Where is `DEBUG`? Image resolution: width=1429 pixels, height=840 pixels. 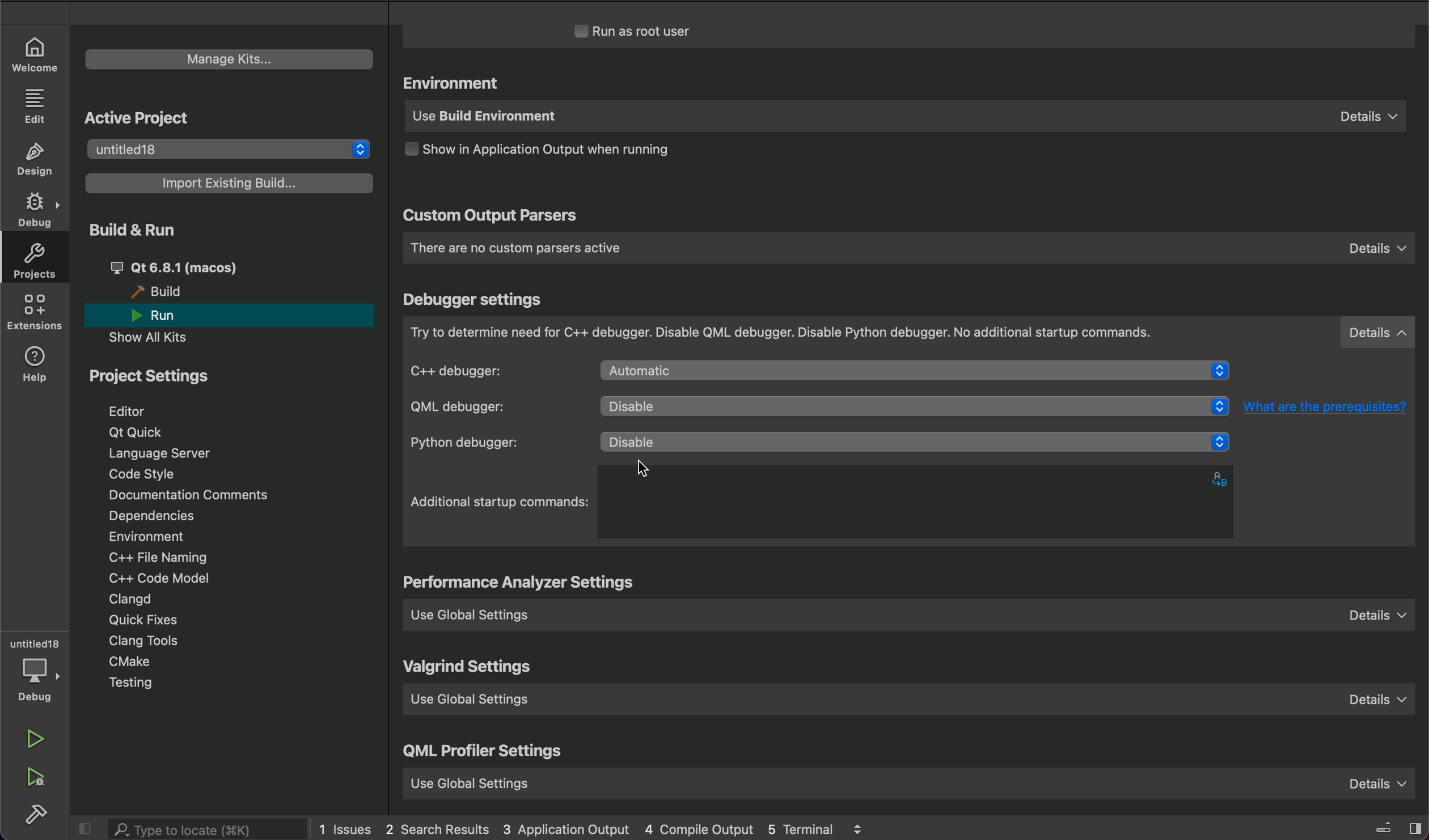 DEBUG is located at coordinates (37, 211).